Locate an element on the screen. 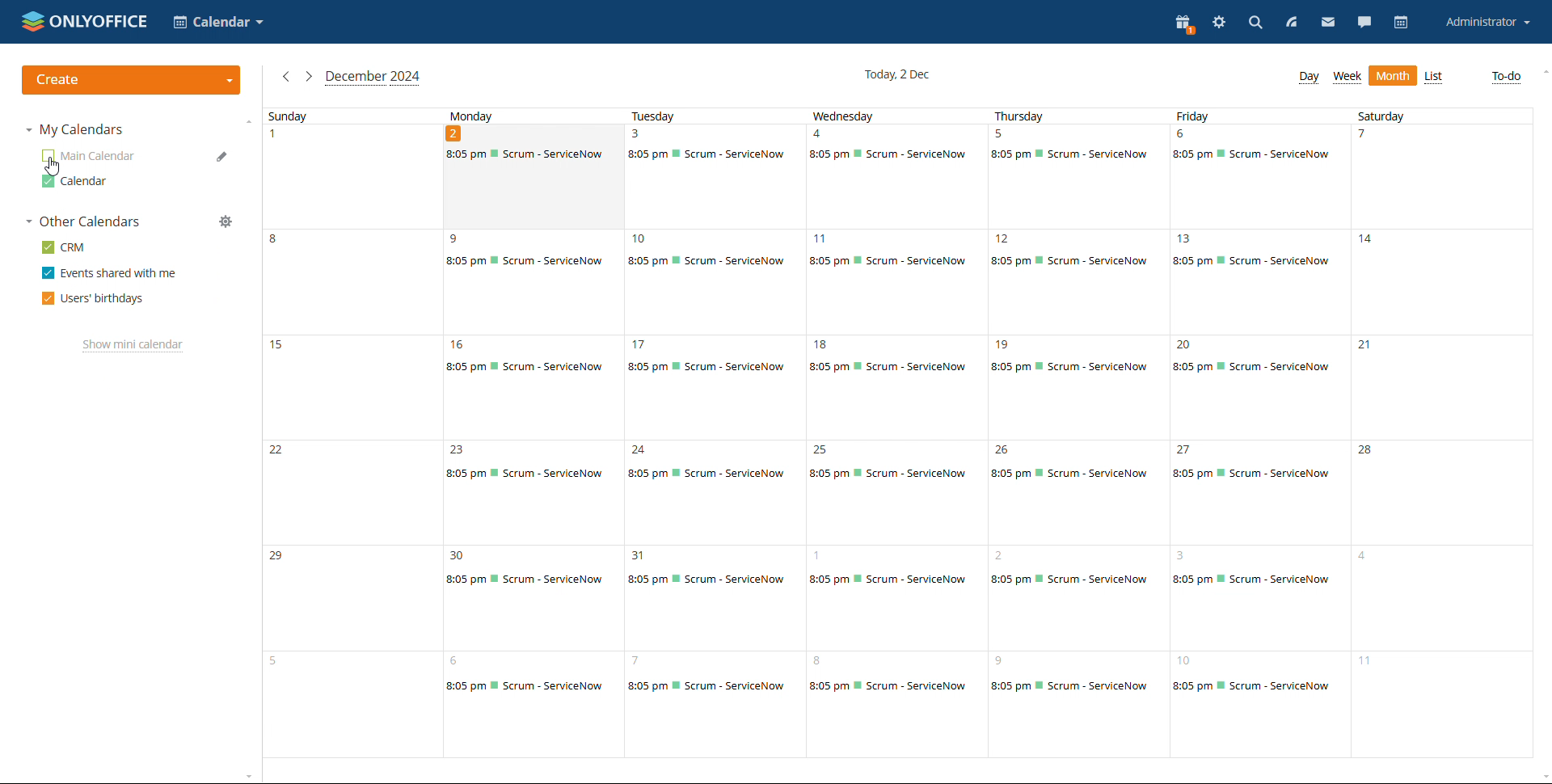 Image resolution: width=1552 pixels, height=784 pixels. settings is located at coordinates (1219, 23).